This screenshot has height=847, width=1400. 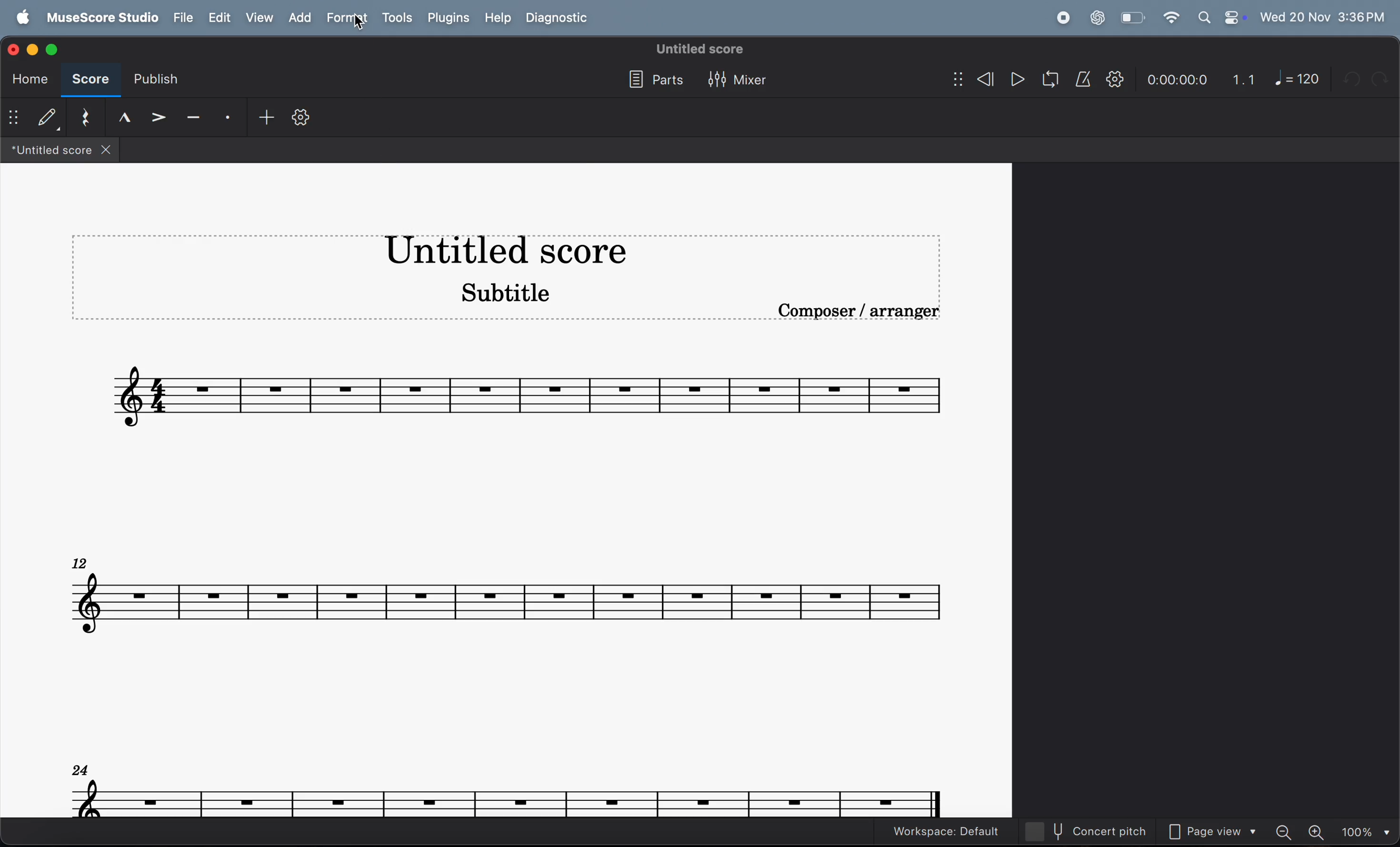 What do you see at coordinates (262, 118) in the screenshot?
I see `add` at bounding box center [262, 118].